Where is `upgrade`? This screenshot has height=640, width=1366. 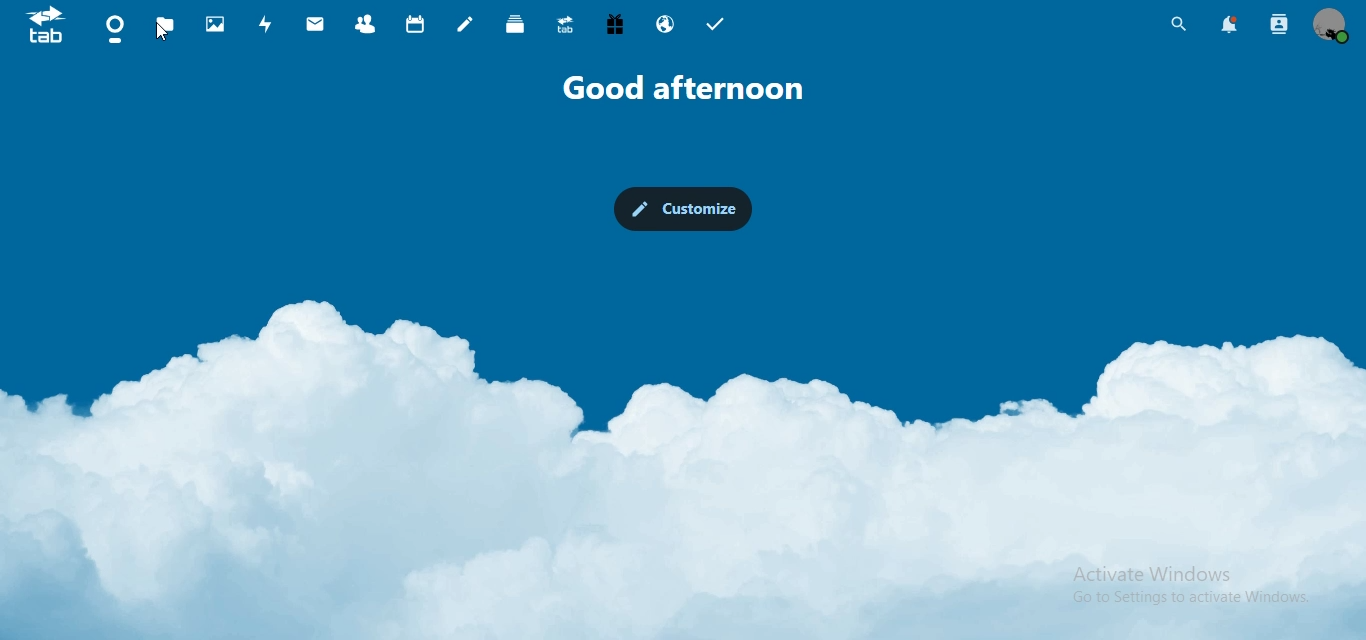
upgrade is located at coordinates (567, 24).